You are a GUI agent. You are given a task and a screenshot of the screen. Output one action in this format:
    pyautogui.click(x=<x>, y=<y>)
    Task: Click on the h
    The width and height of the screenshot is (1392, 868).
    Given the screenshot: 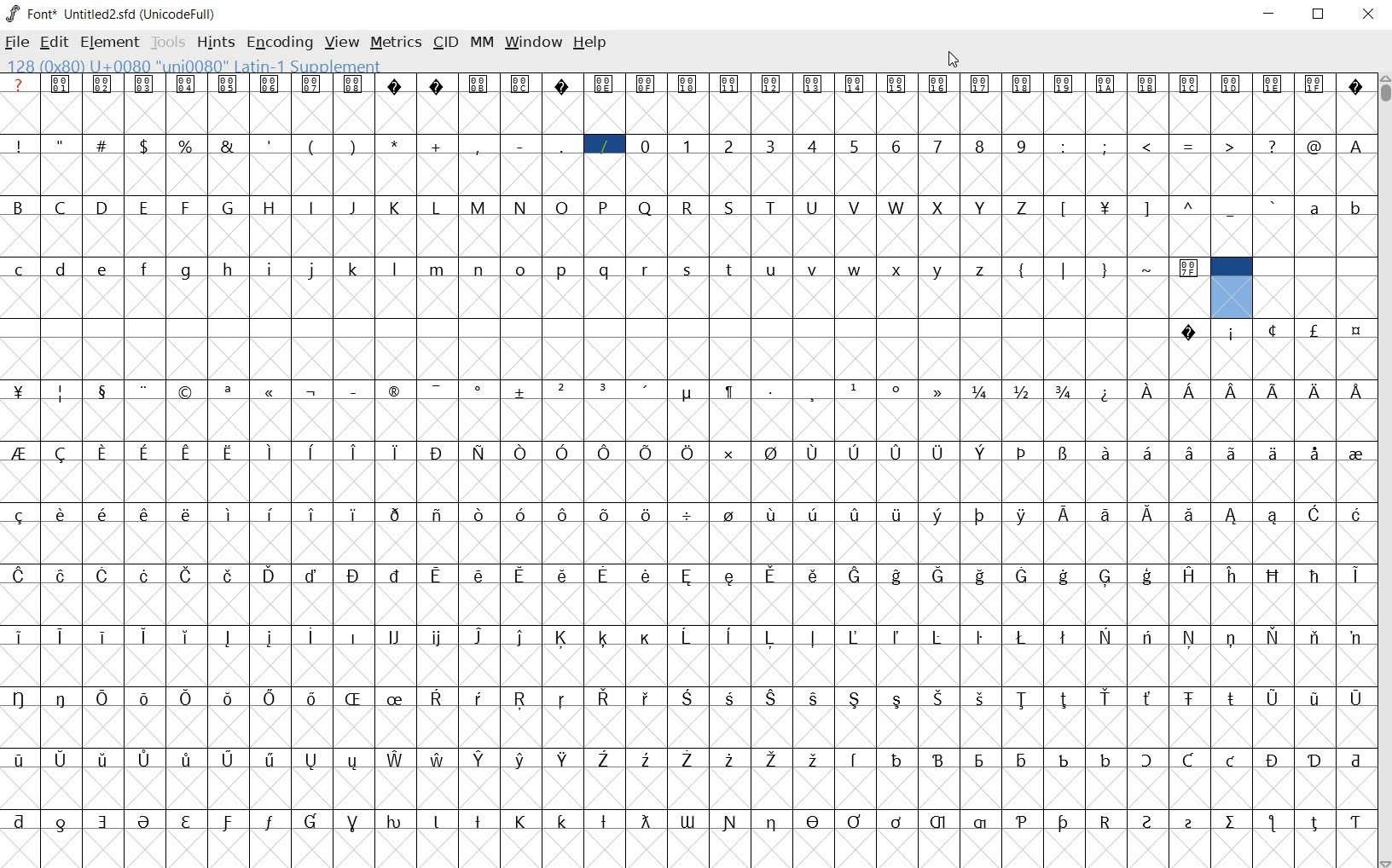 What is the action you would take?
    pyautogui.click(x=229, y=268)
    